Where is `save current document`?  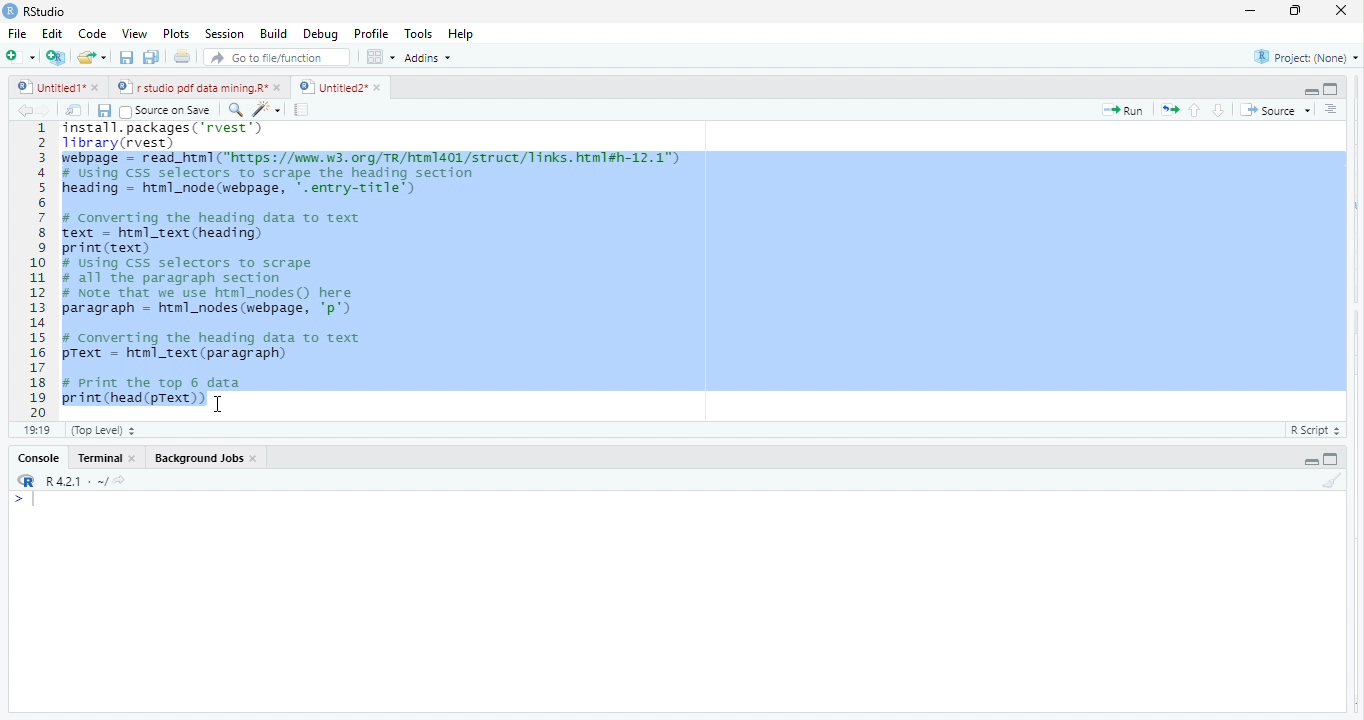
save current document is located at coordinates (104, 112).